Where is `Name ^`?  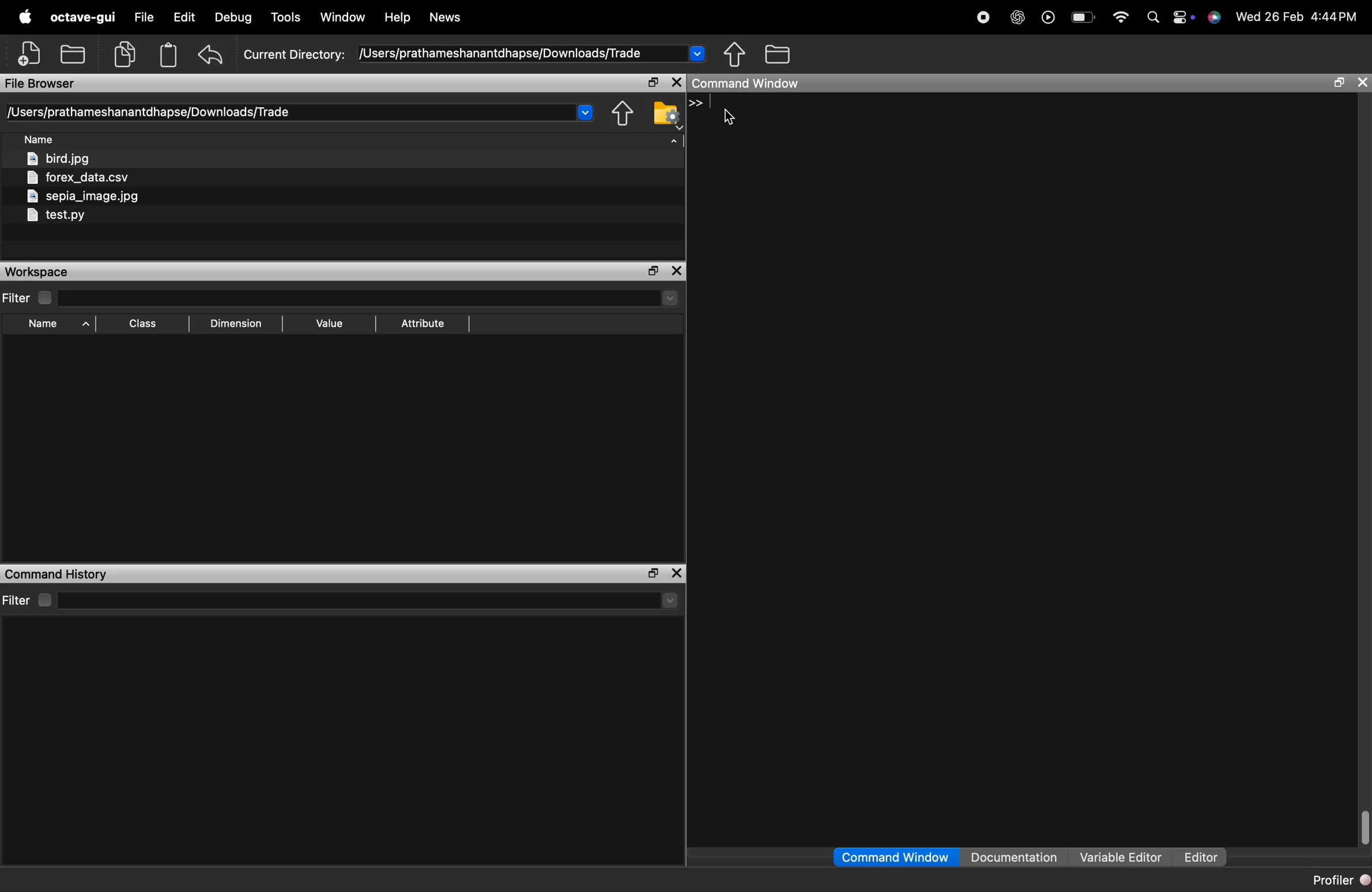
Name ^ is located at coordinates (59, 324).